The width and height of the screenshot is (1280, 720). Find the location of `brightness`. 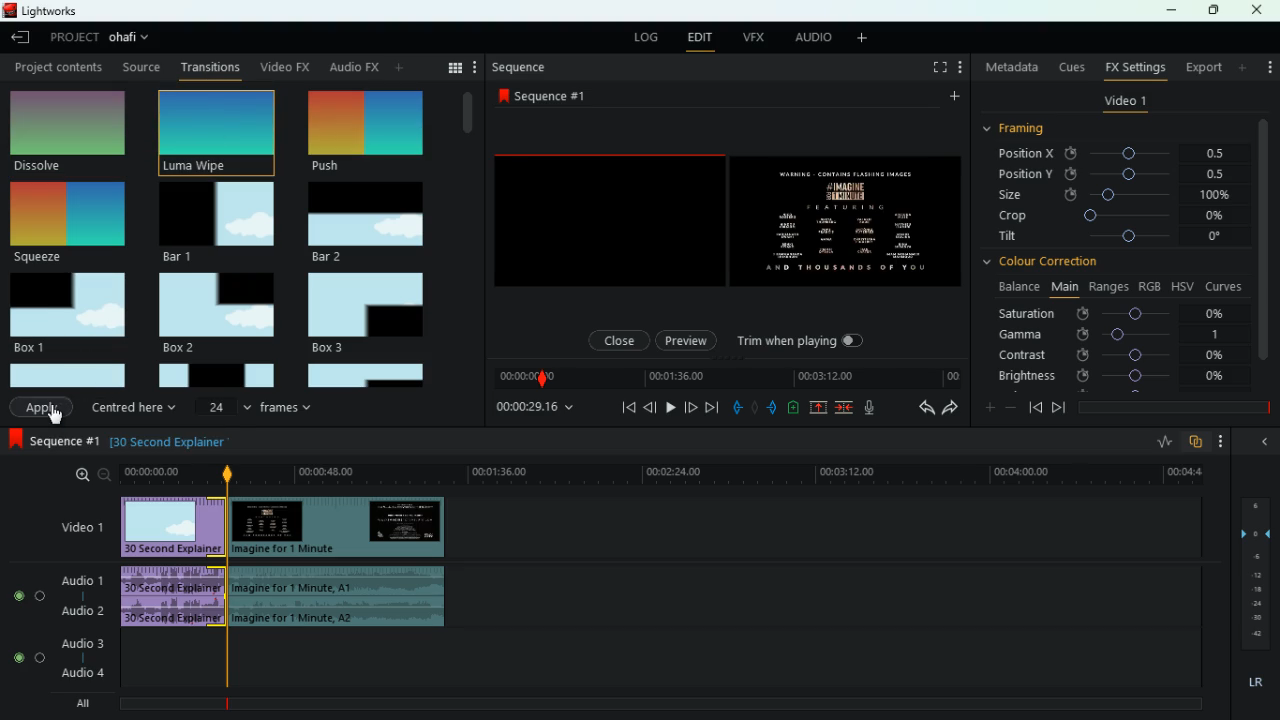

brightness is located at coordinates (1113, 377).